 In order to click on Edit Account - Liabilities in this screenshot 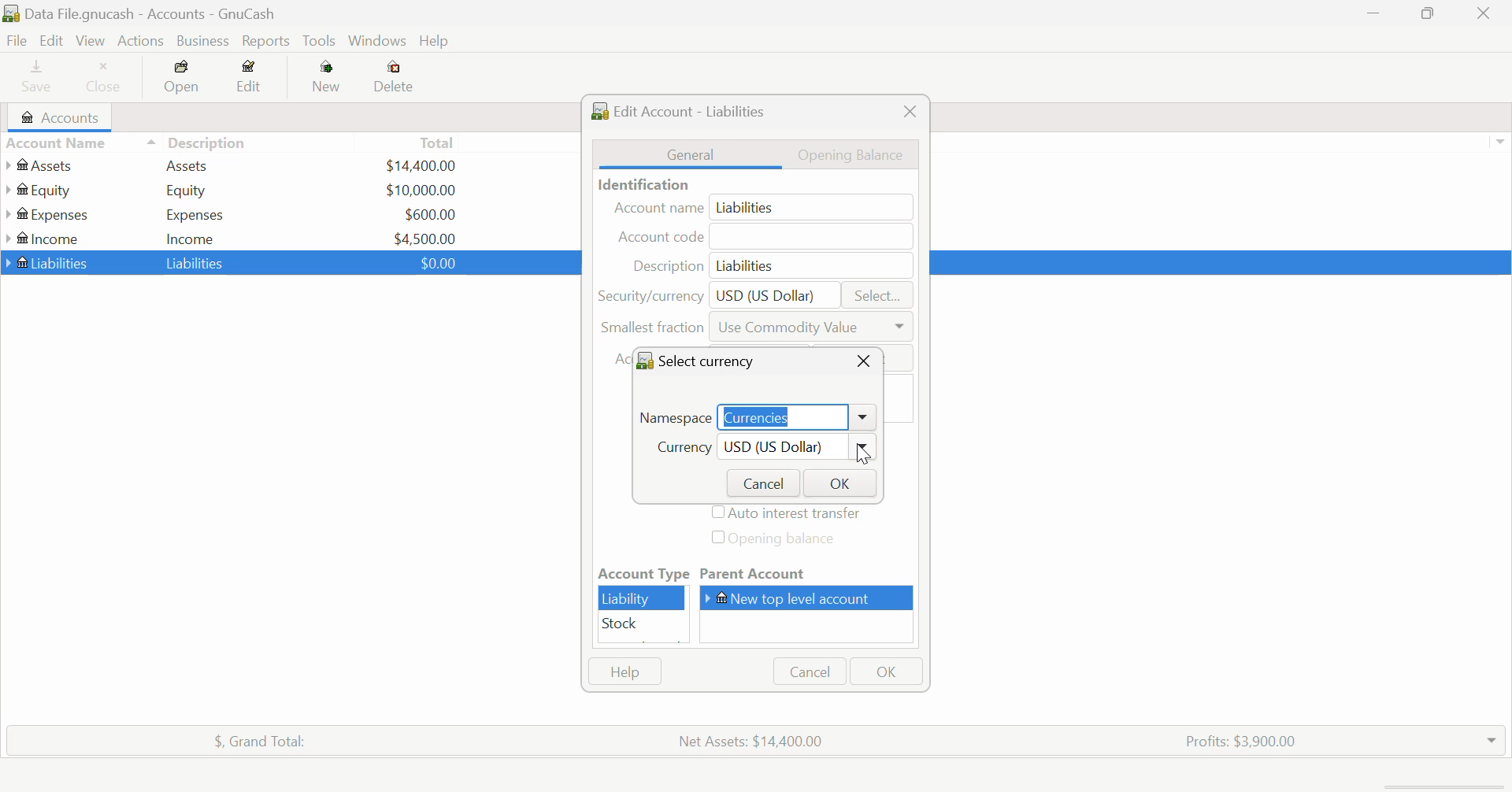, I will do `click(684, 109)`.